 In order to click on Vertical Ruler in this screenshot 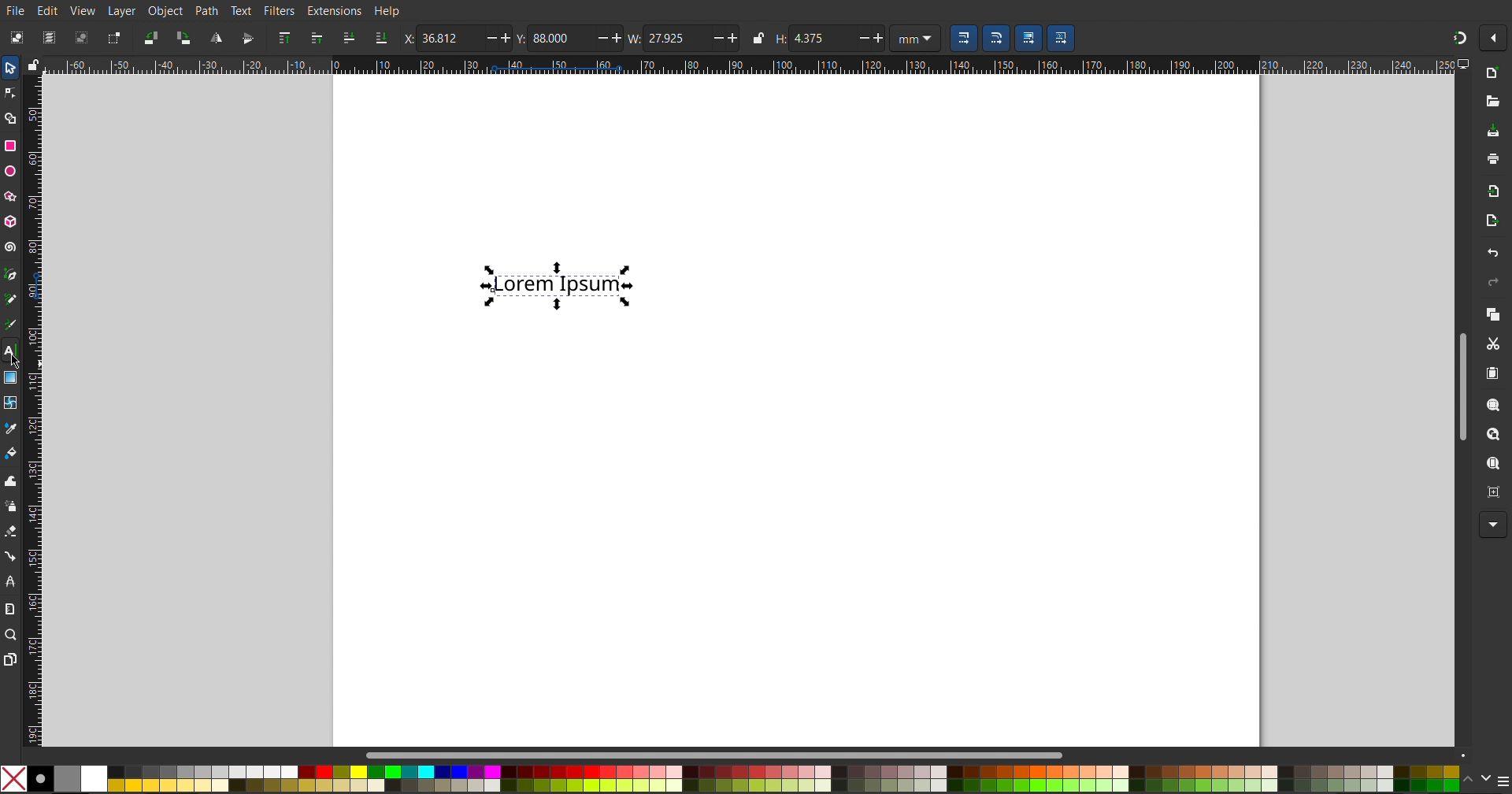, I will do `click(32, 407)`.